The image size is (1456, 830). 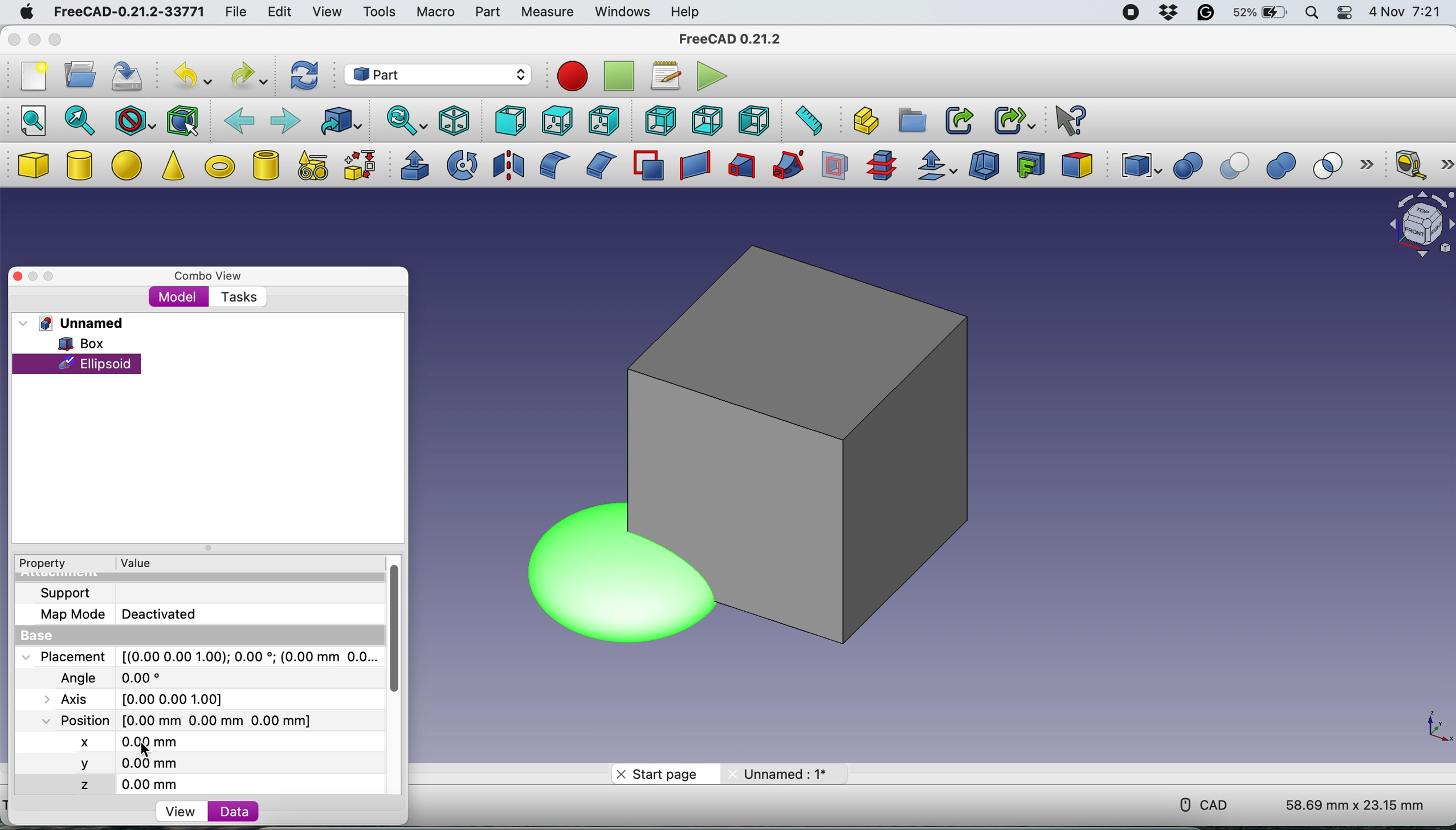 I want to click on stop recording macros, so click(x=621, y=77).